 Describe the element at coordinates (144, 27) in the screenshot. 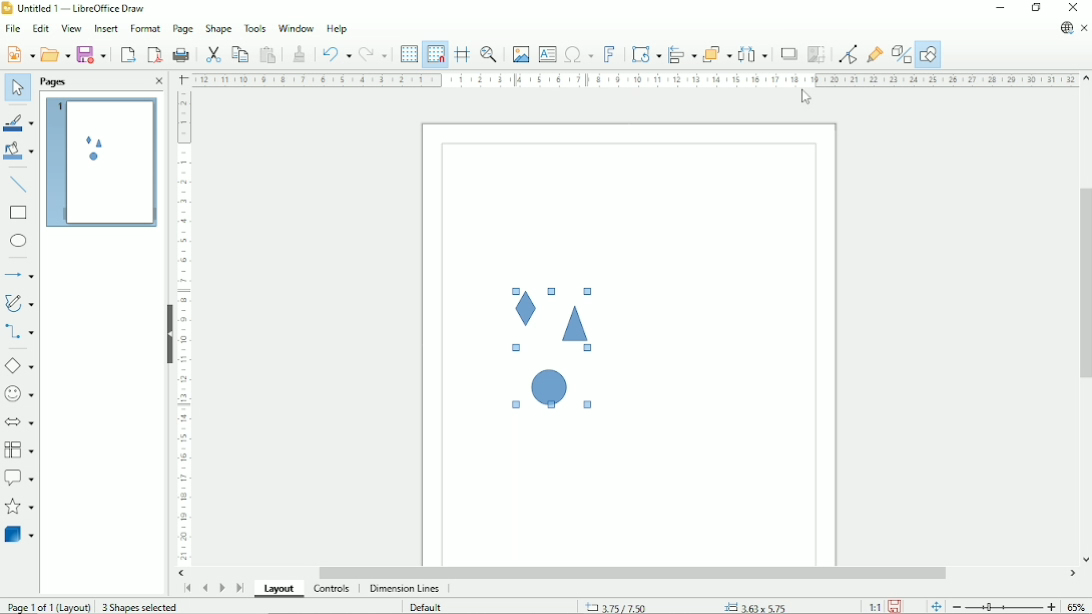

I see `Format` at that location.